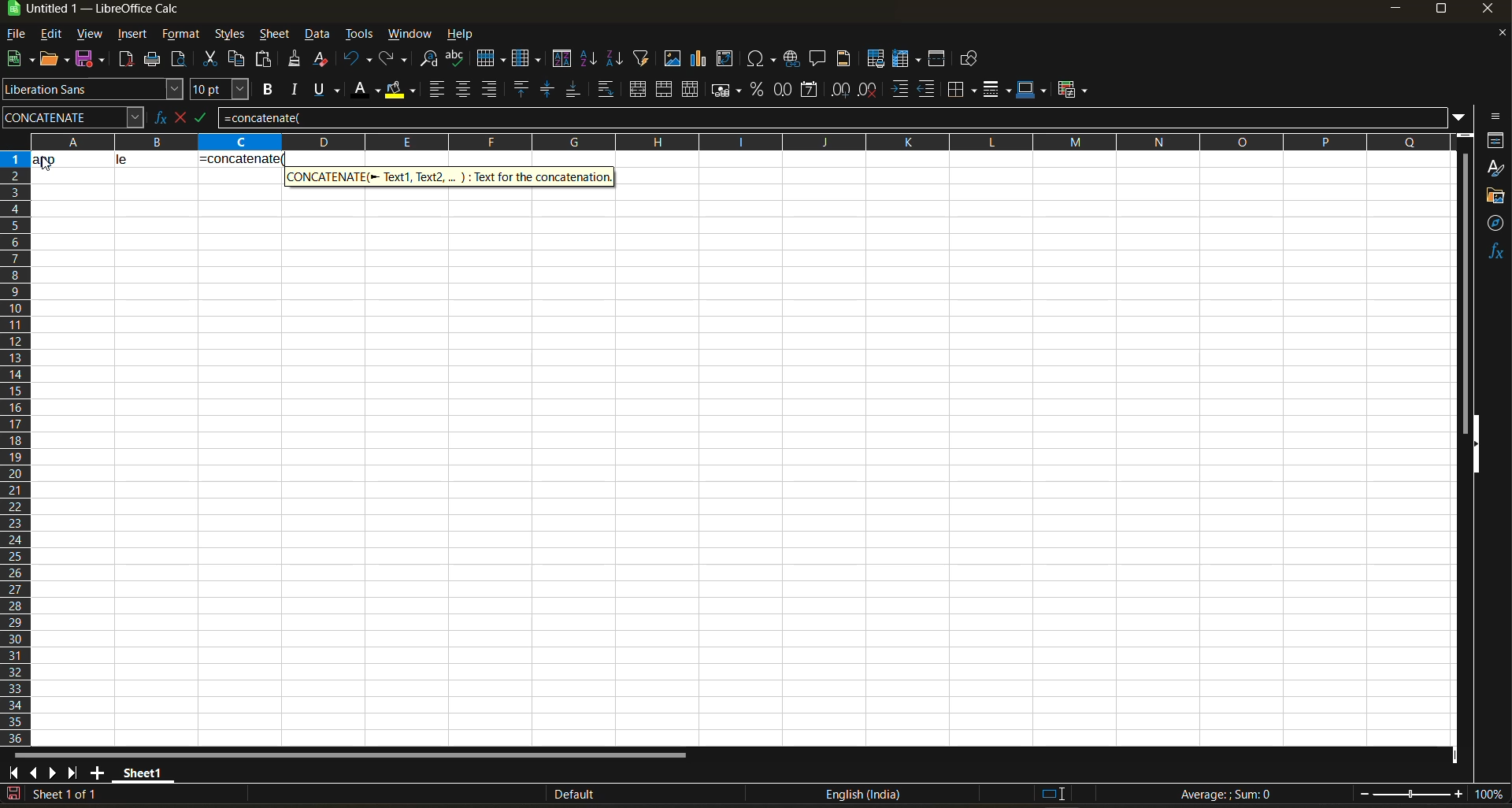 Image resolution: width=1512 pixels, height=808 pixels. I want to click on insert chart, so click(699, 58).